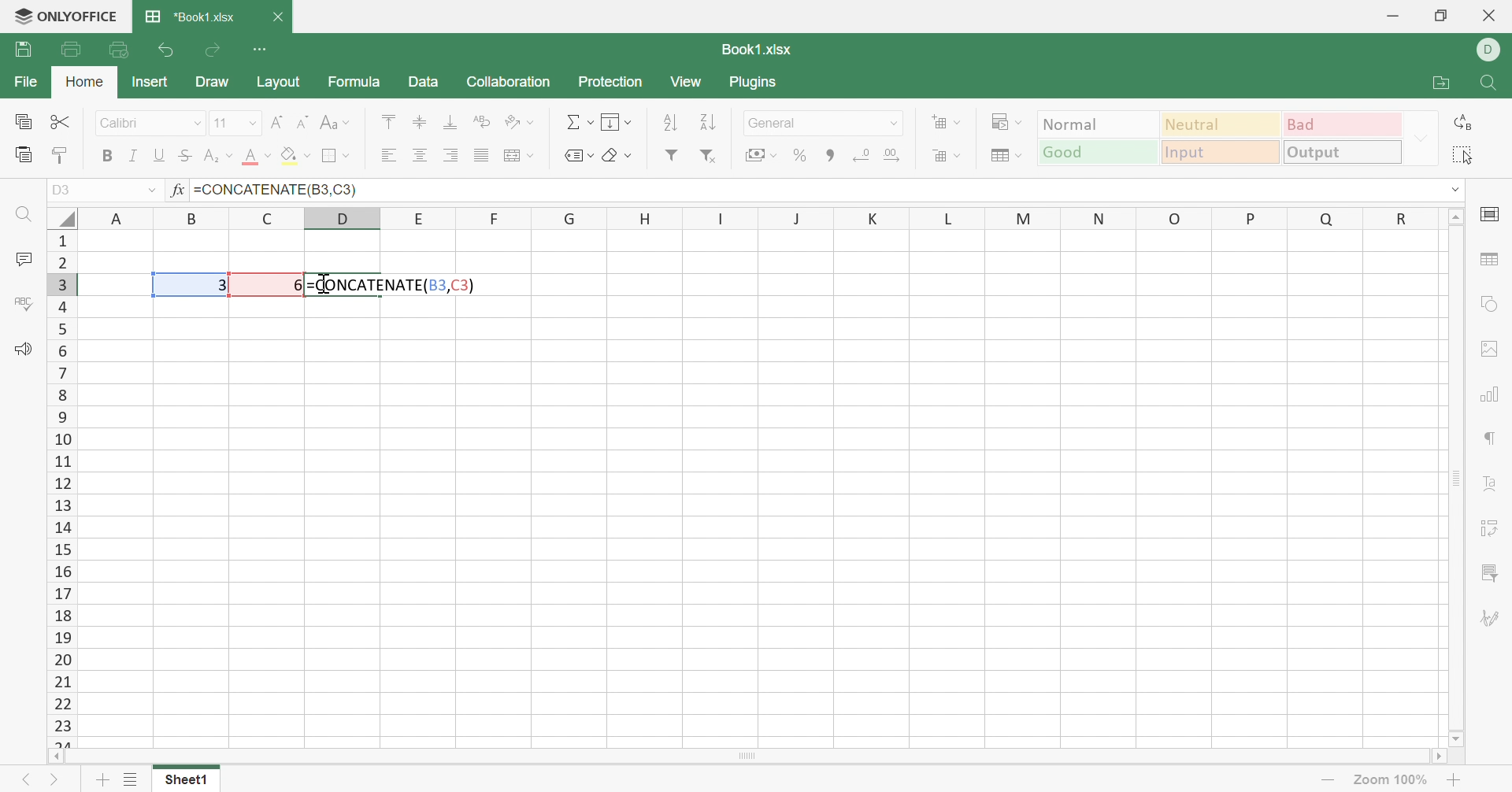 The width and height of the screenshot is (1512, 792). What do you see at coordinates (1492, 481) in the screenshot?
I see `Text art settings` at bounding box center [1492, 481].